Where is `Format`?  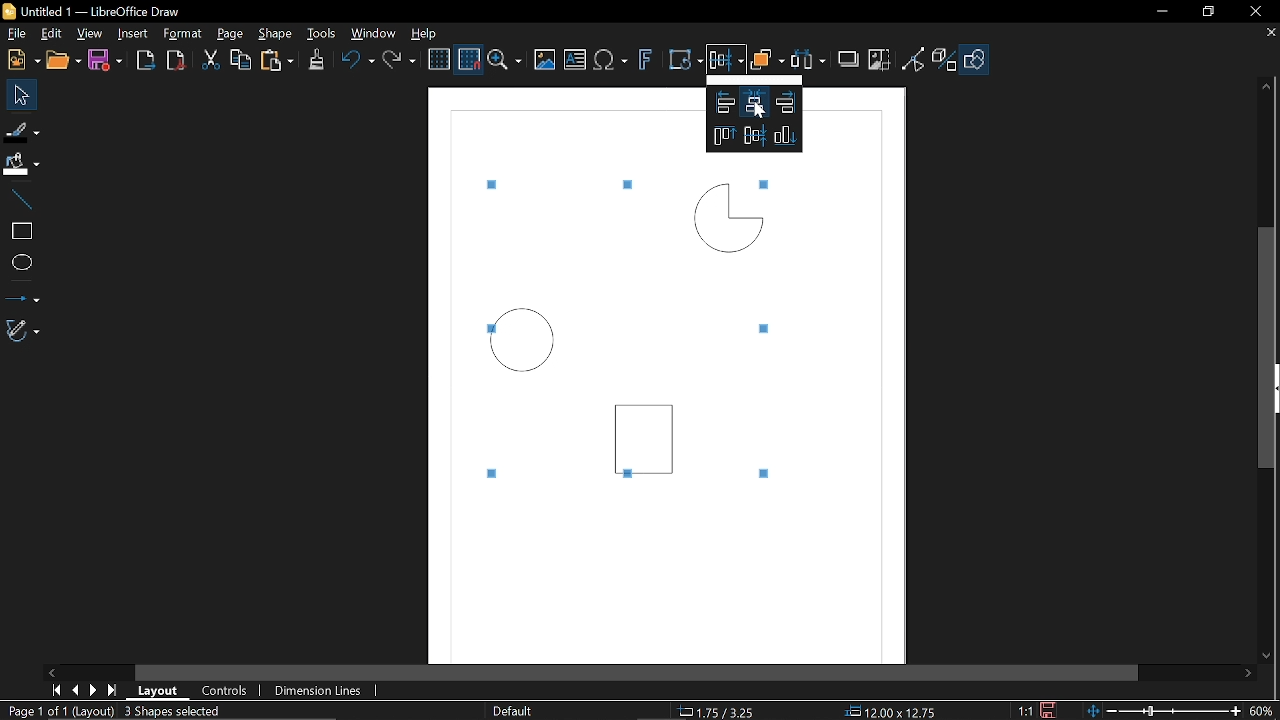 Format is located at coordinates (182, 34).